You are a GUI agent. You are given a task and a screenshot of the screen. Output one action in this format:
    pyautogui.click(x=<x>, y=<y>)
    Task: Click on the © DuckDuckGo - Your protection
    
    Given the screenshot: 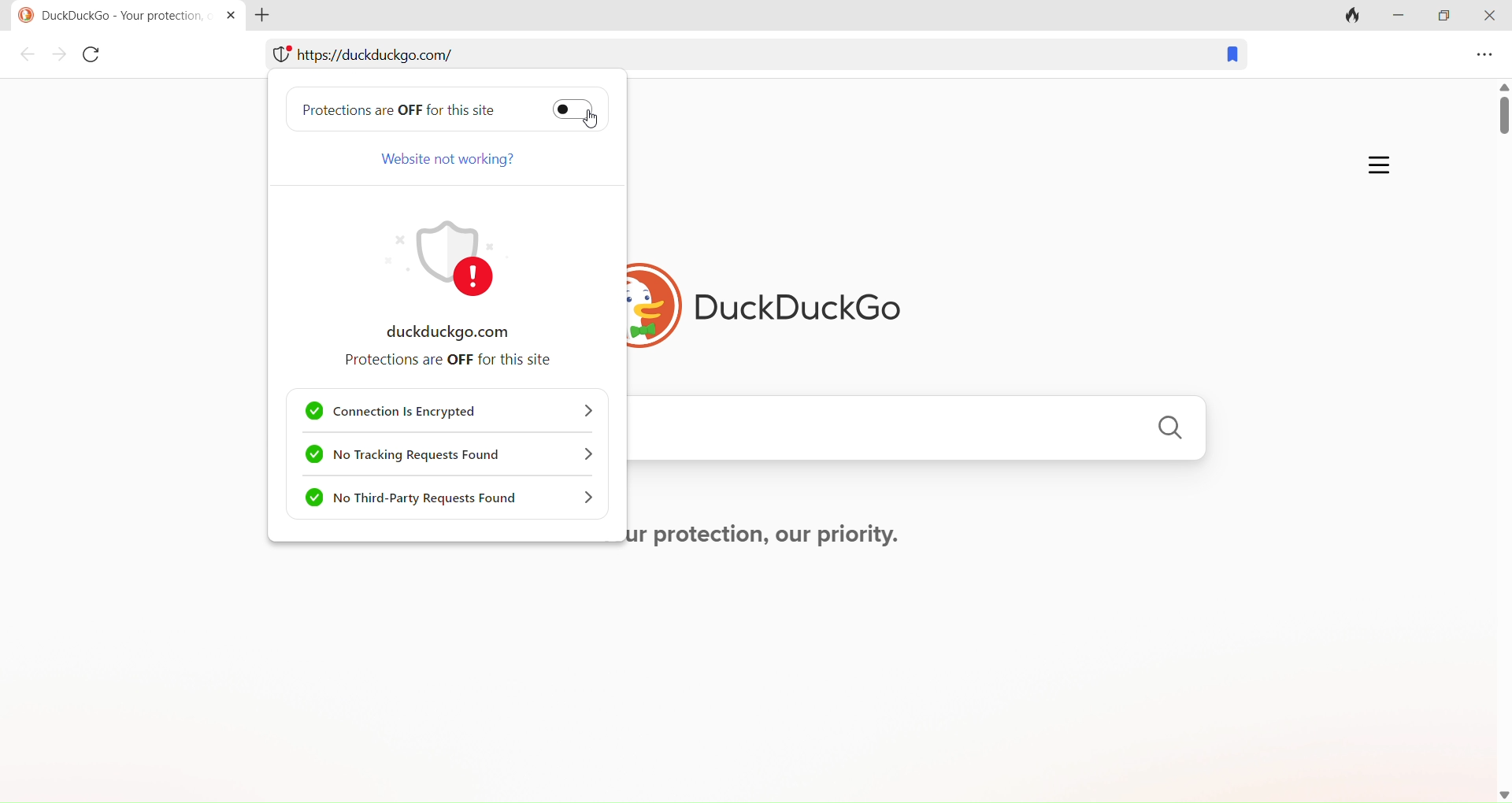 What is the action you would take?
    pyautogui.click(x=108, y=16)
    